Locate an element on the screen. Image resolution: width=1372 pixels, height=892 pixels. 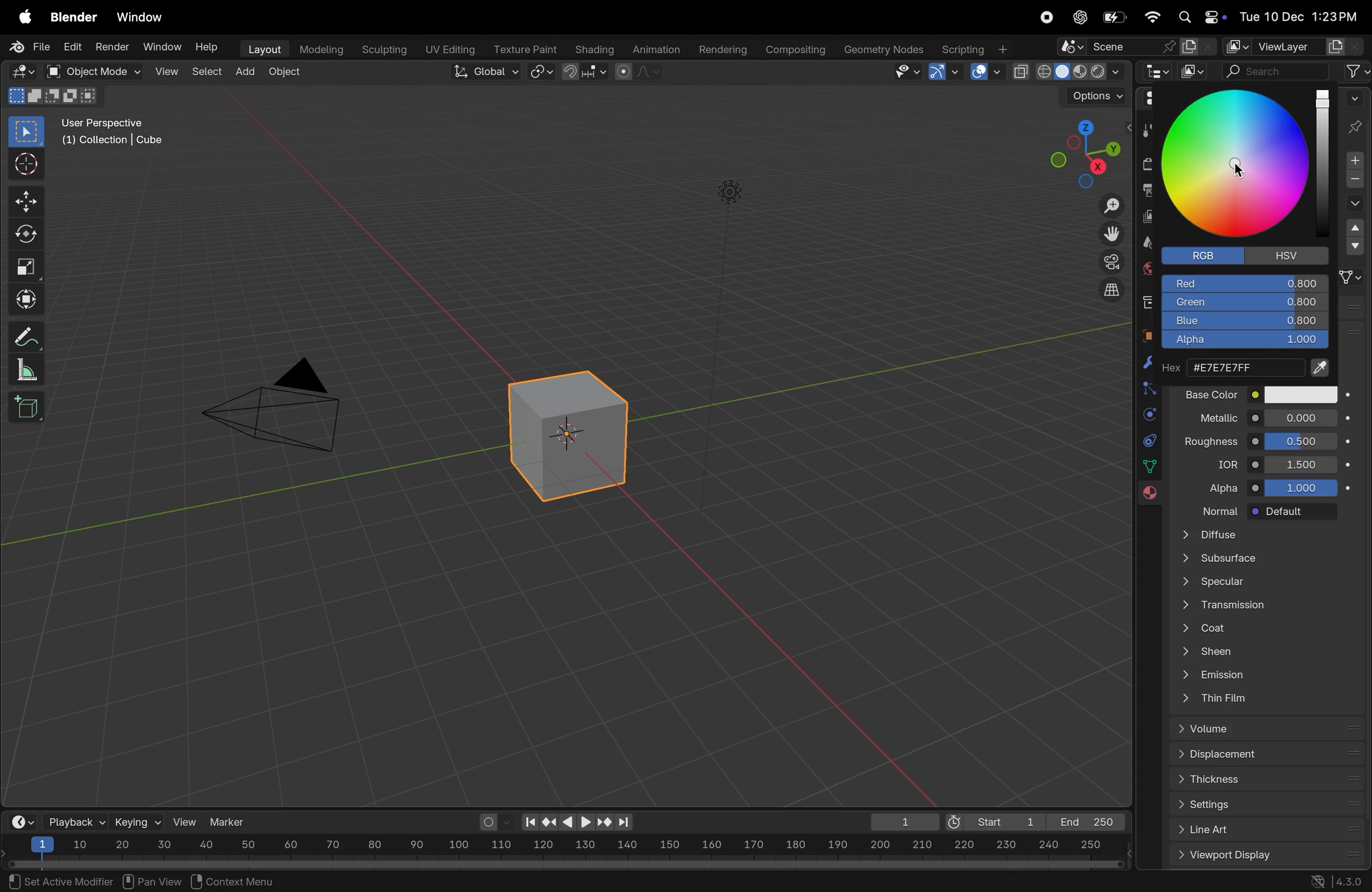
object is located at coordinates (285, 73).